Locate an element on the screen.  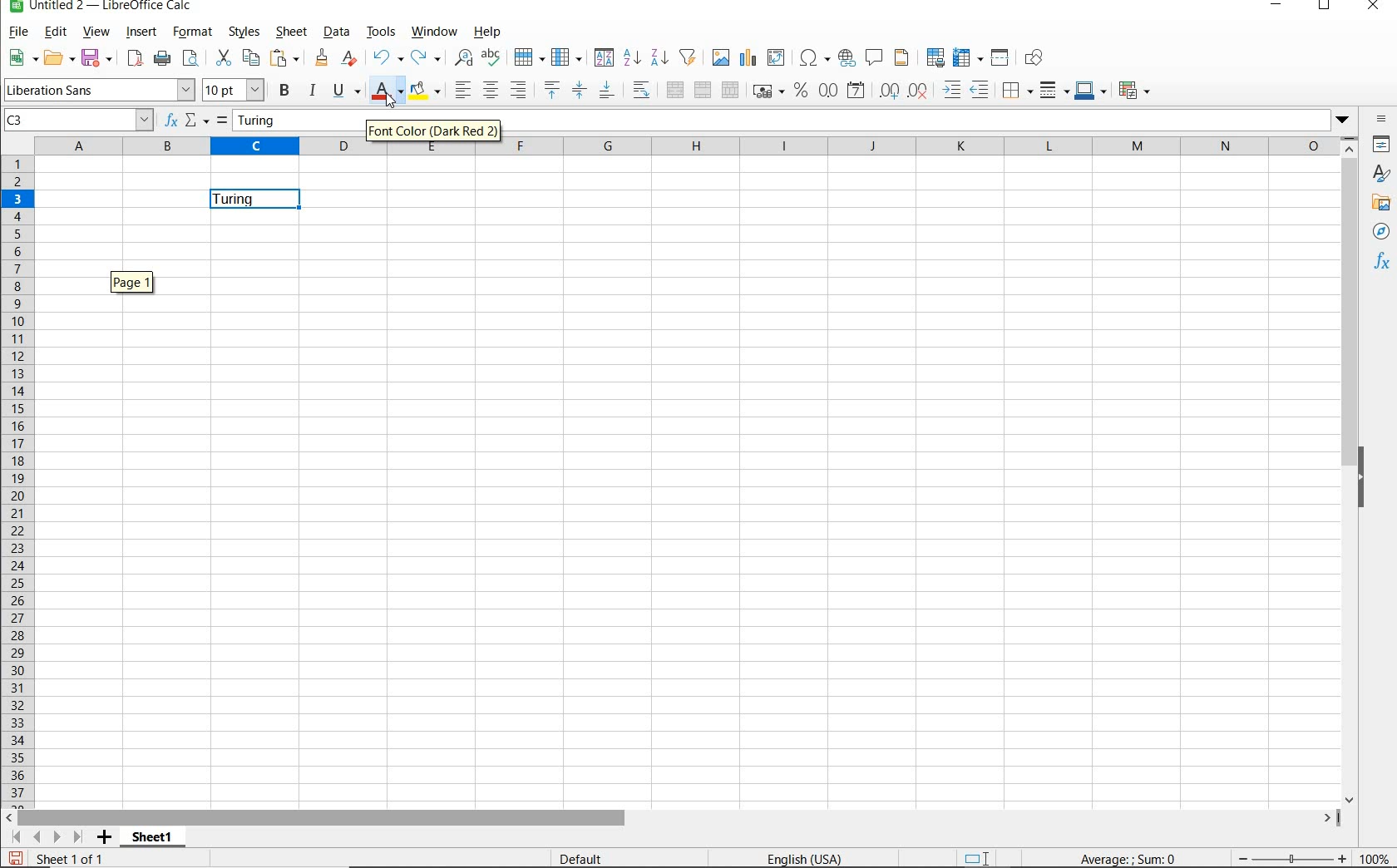
REDO is located at coordinates (427, 60).